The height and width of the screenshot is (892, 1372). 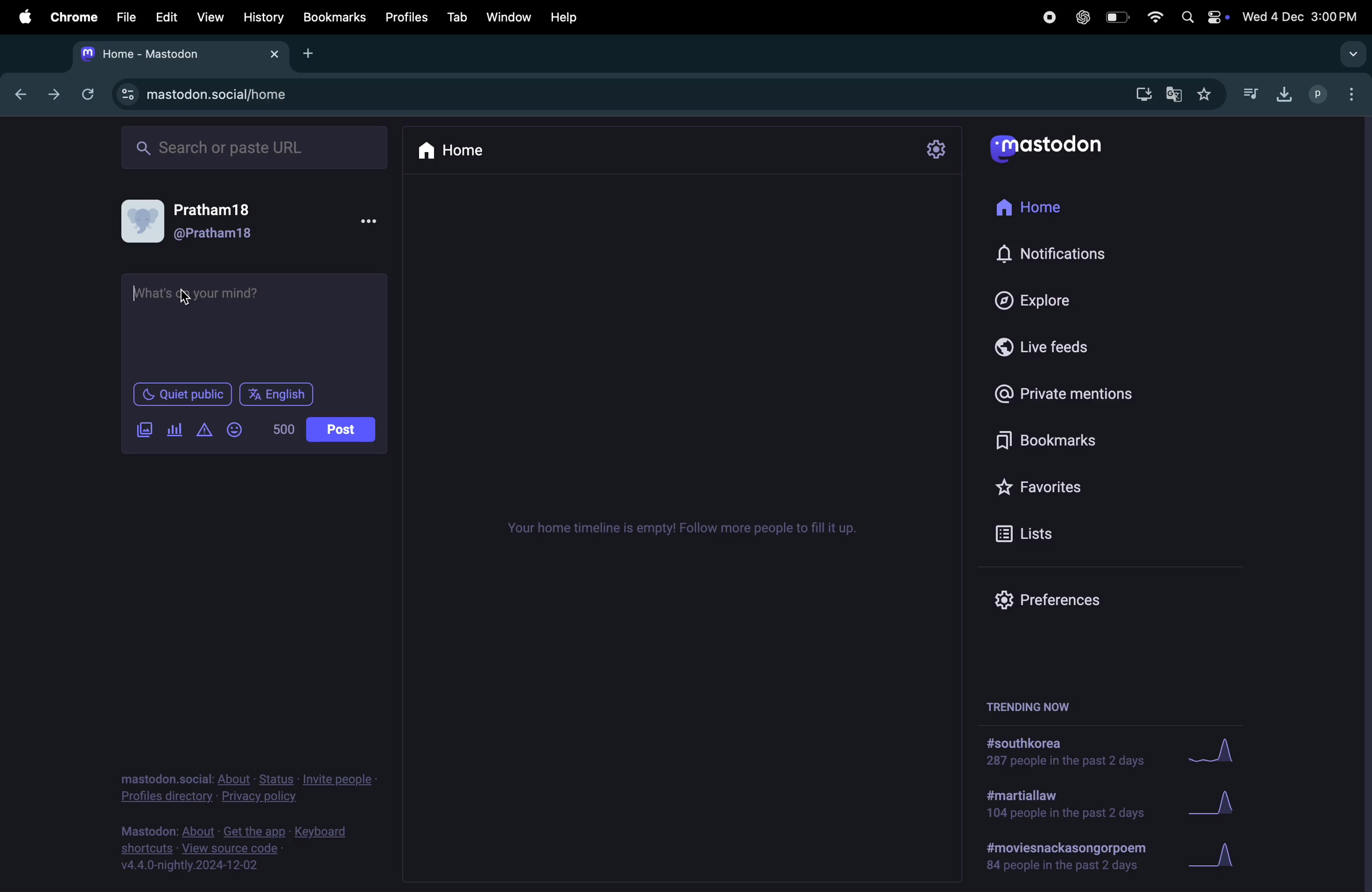 I want to click on view source code, so click(x=237, y=849).